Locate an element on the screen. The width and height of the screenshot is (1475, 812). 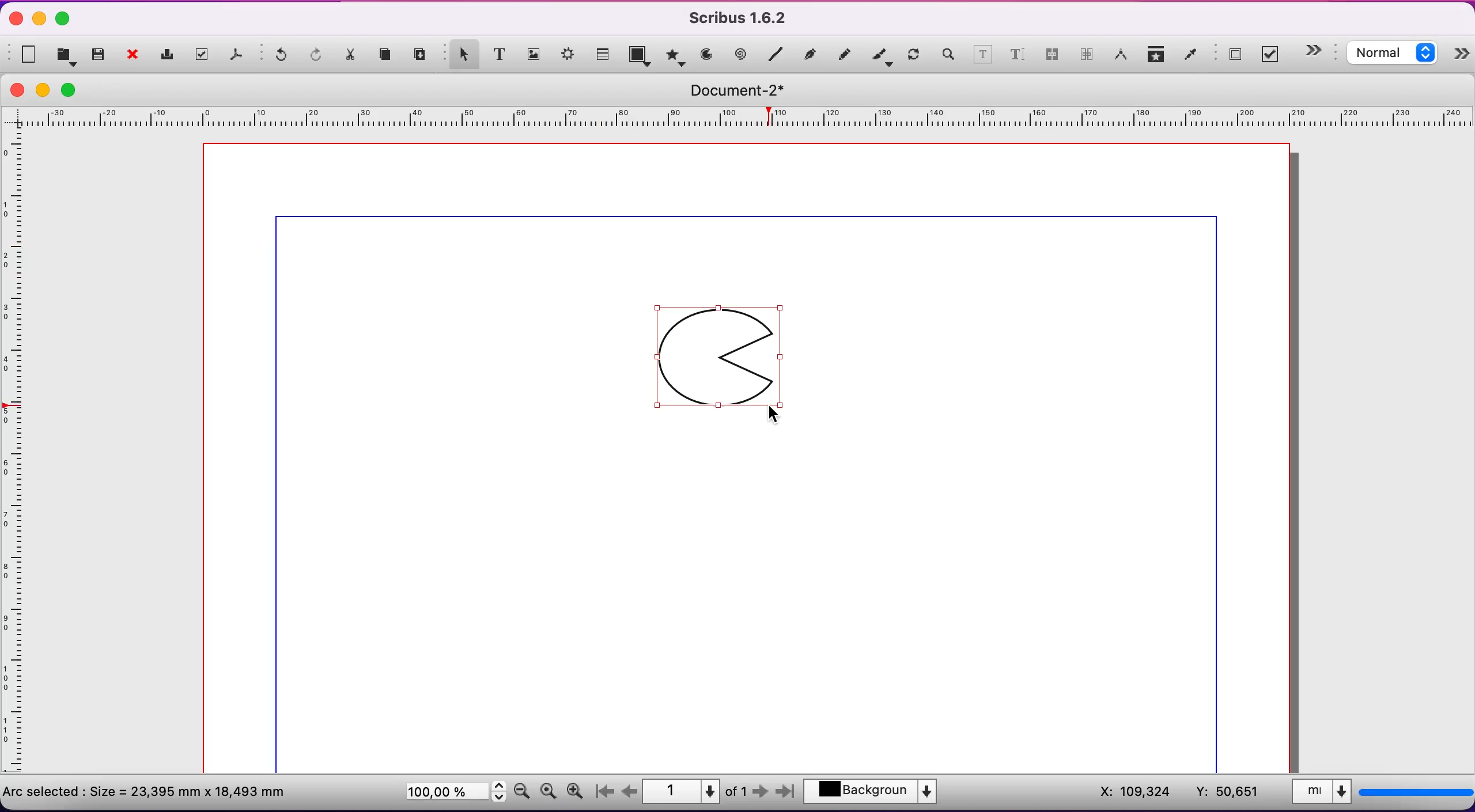
scribus is located at coordinates (744, 18).